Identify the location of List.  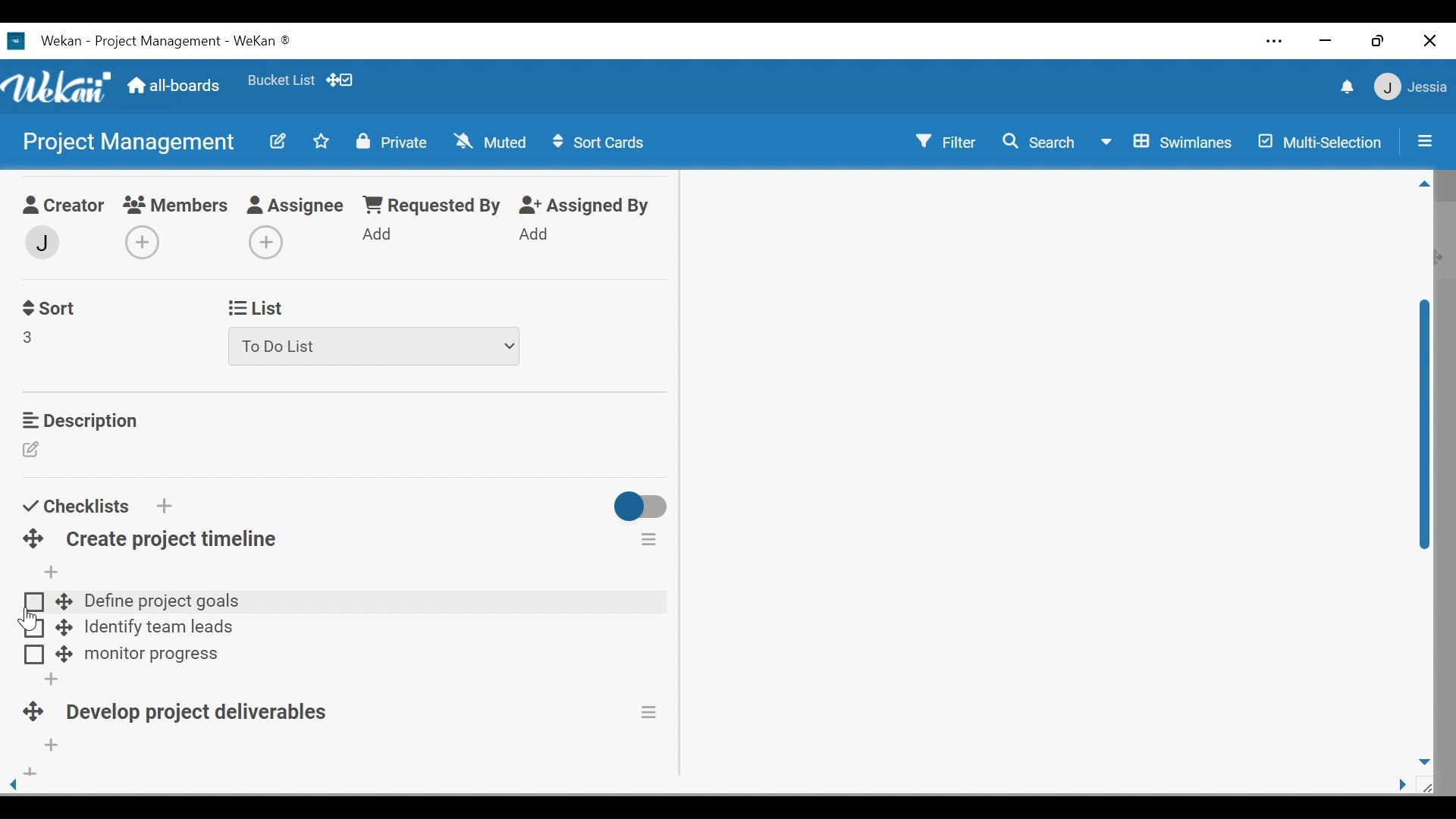
(253, 309).